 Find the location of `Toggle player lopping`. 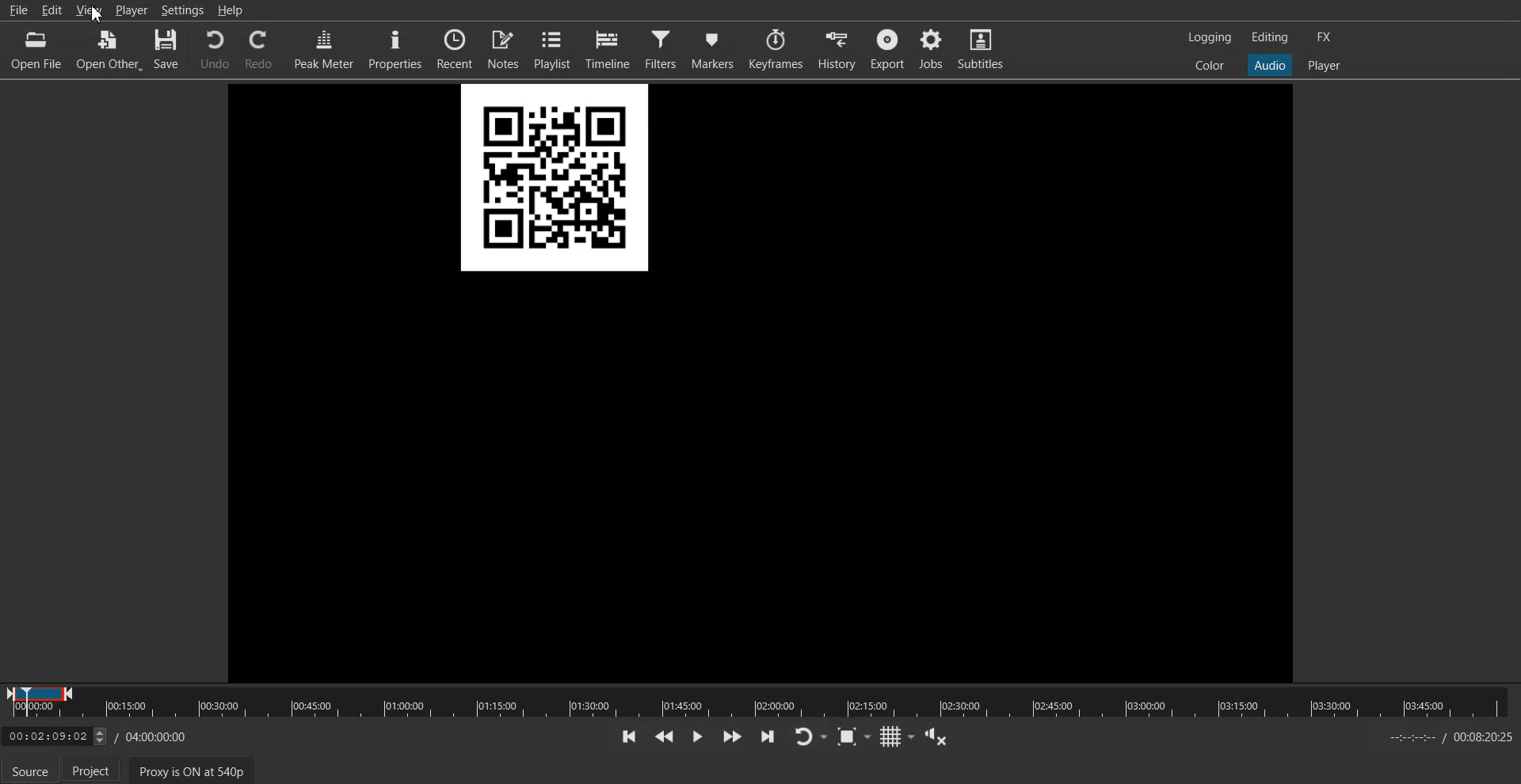

Toggle player lopping is located at coordinates (810, 736).